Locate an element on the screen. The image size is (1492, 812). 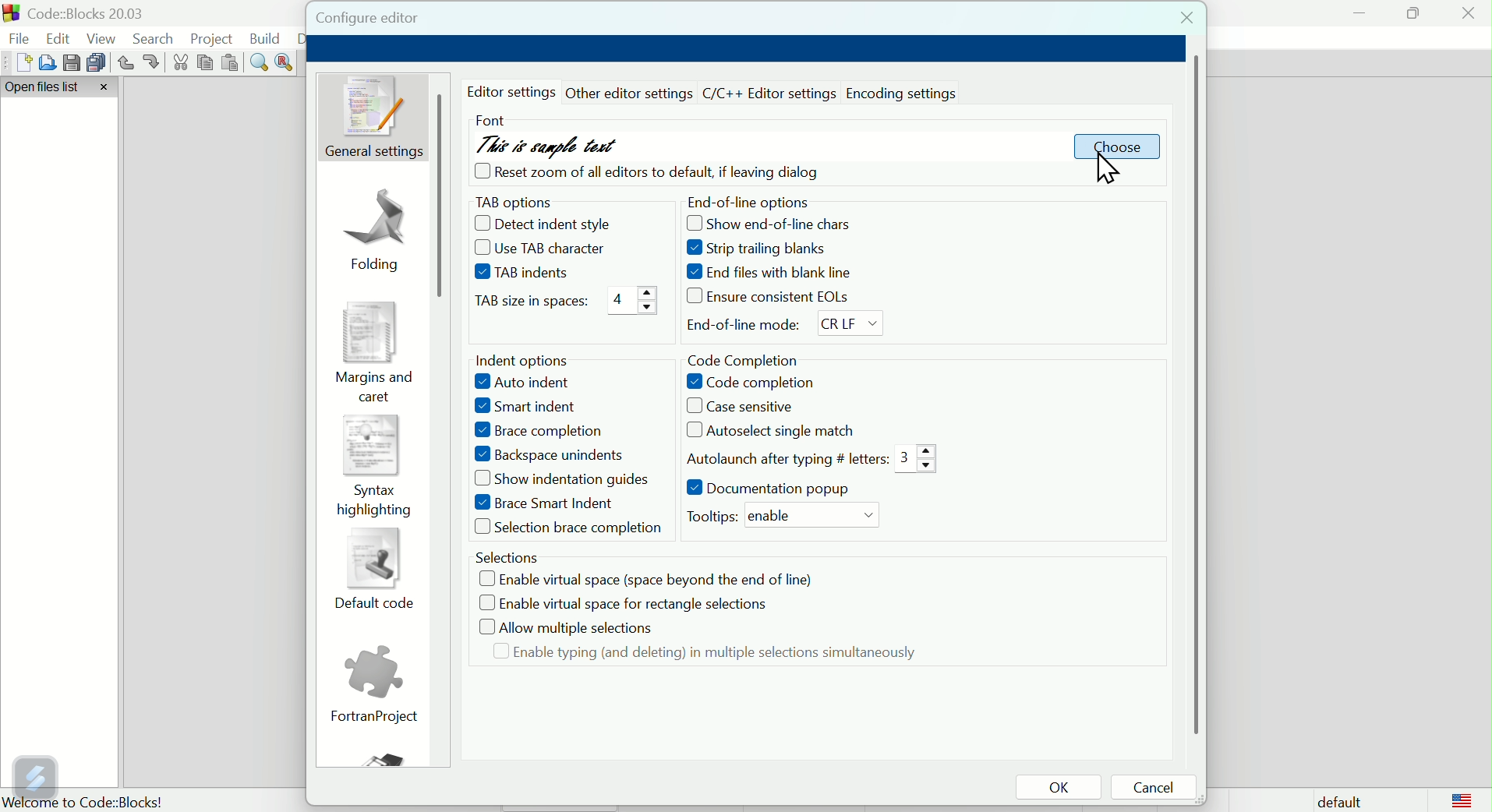
Tap size is located at coordinates (524, 303).